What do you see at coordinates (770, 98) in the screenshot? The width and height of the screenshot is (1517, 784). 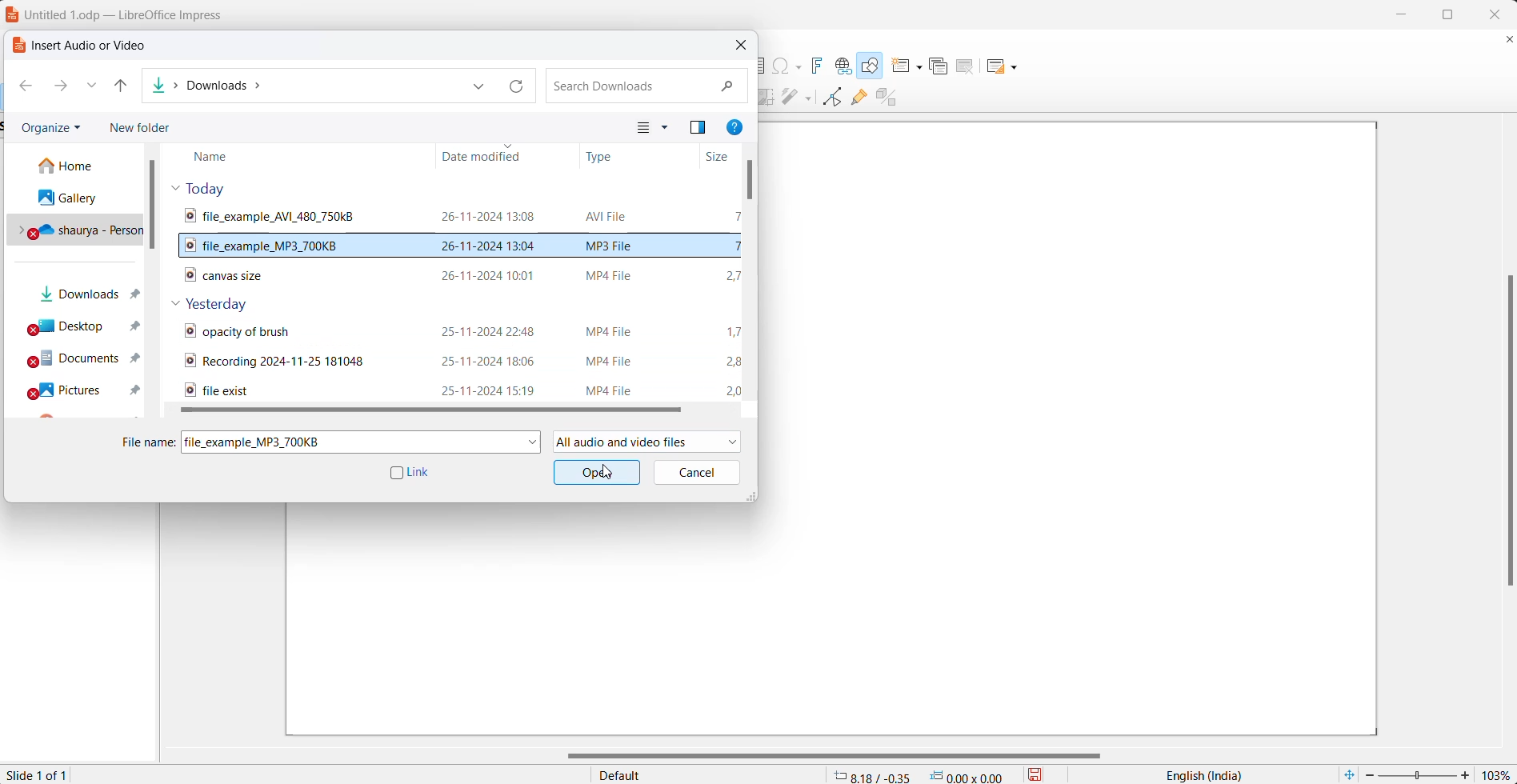 I see `crop image` at bounding box center [770, 98].